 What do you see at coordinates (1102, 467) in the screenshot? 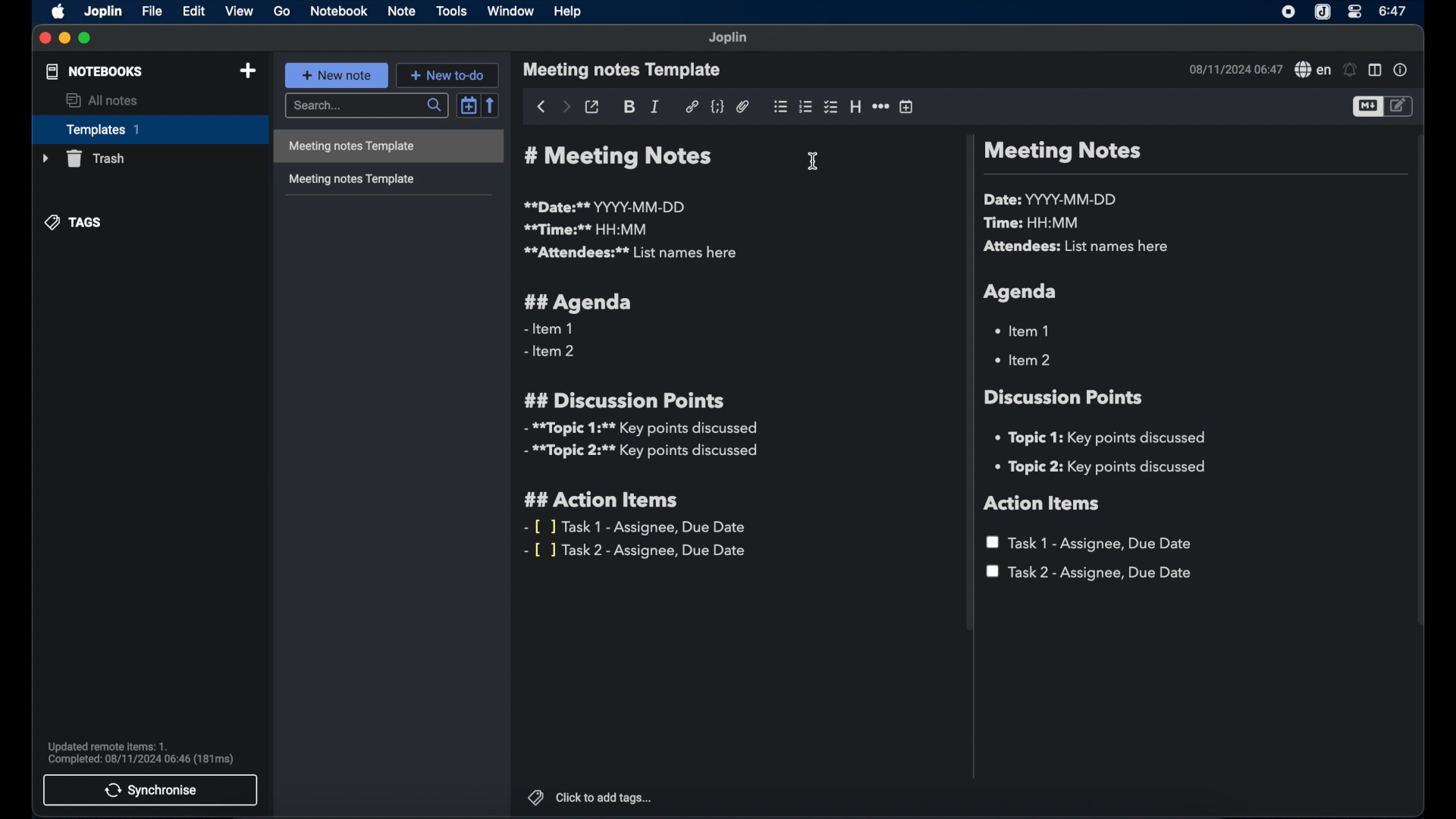
I see `topic 2: key points discussed` at bounding box center [1102, 467].